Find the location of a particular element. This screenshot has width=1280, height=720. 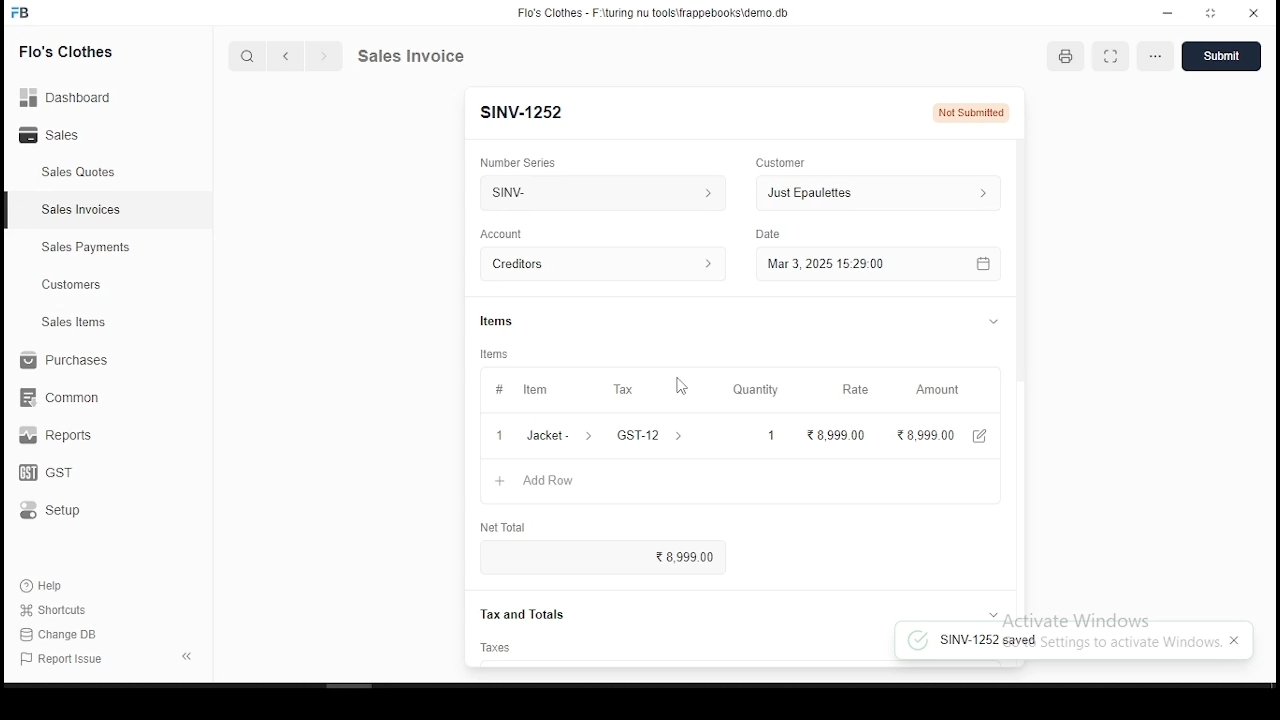

taxes is located at coordinates (502, 645).